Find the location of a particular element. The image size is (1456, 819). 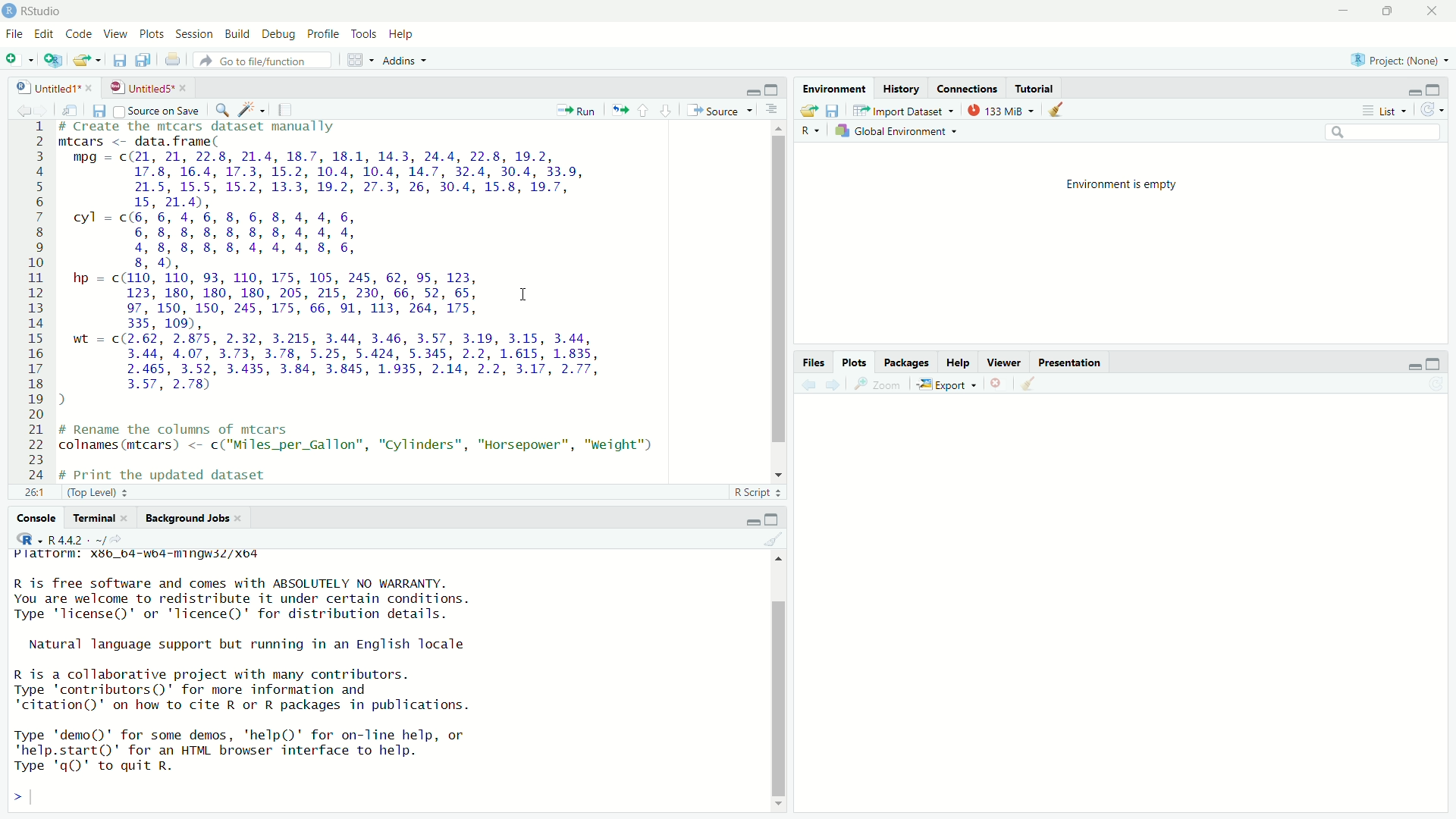

zoom is located at coordinates (880, 385).